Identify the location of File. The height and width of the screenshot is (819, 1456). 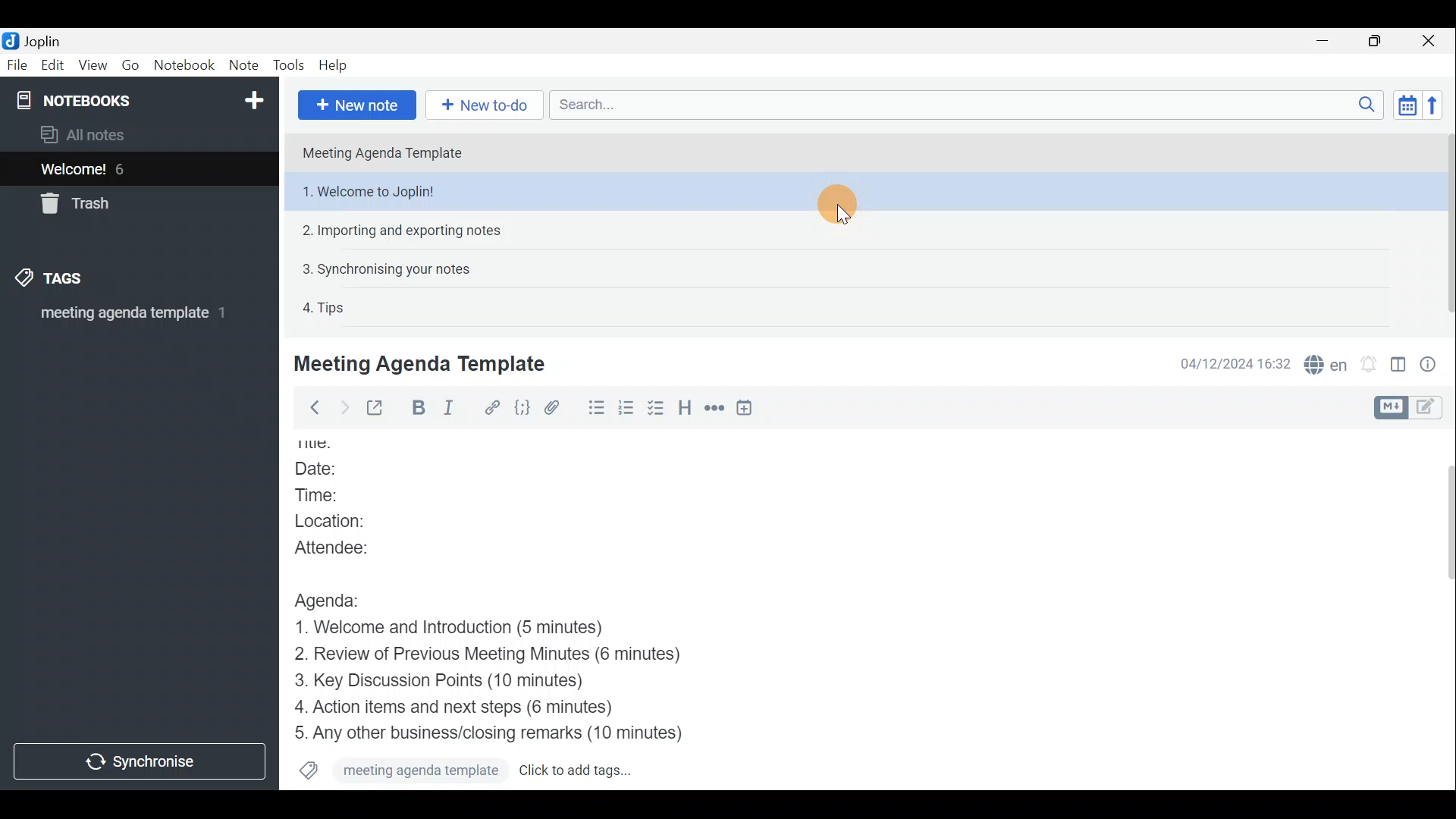
(17, 64).